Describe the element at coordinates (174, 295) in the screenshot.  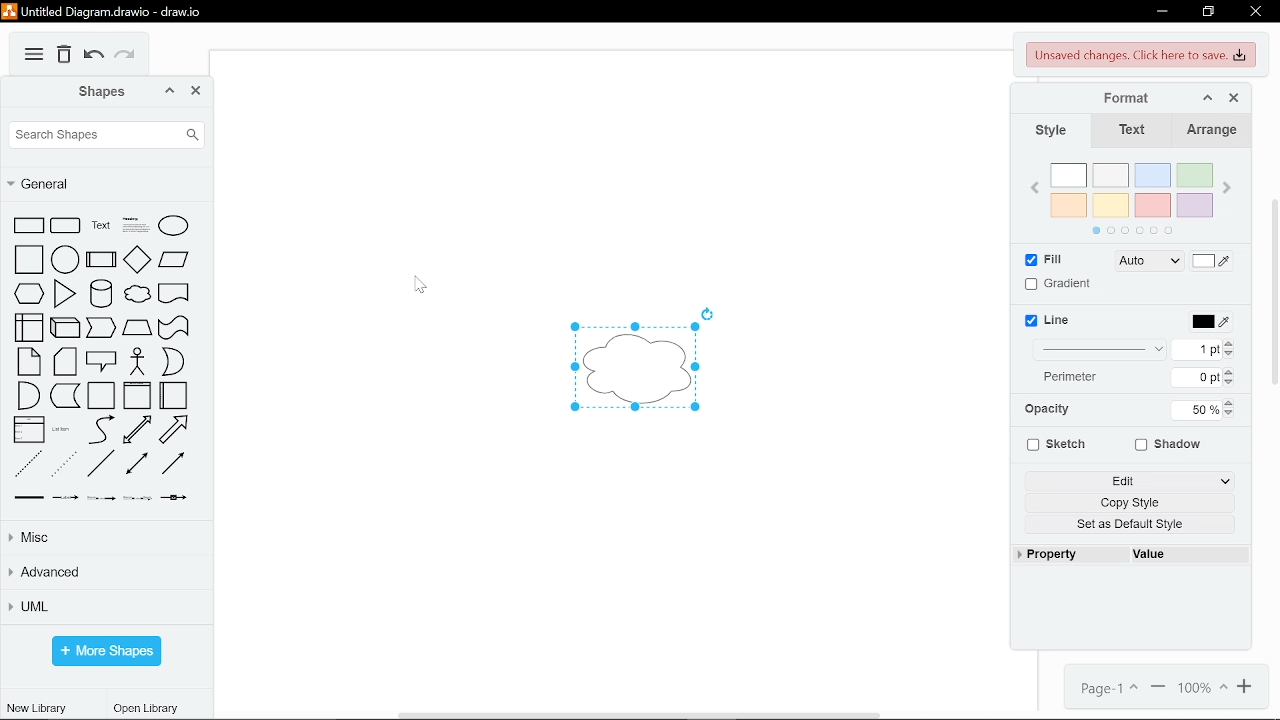
I see `document` at that location.